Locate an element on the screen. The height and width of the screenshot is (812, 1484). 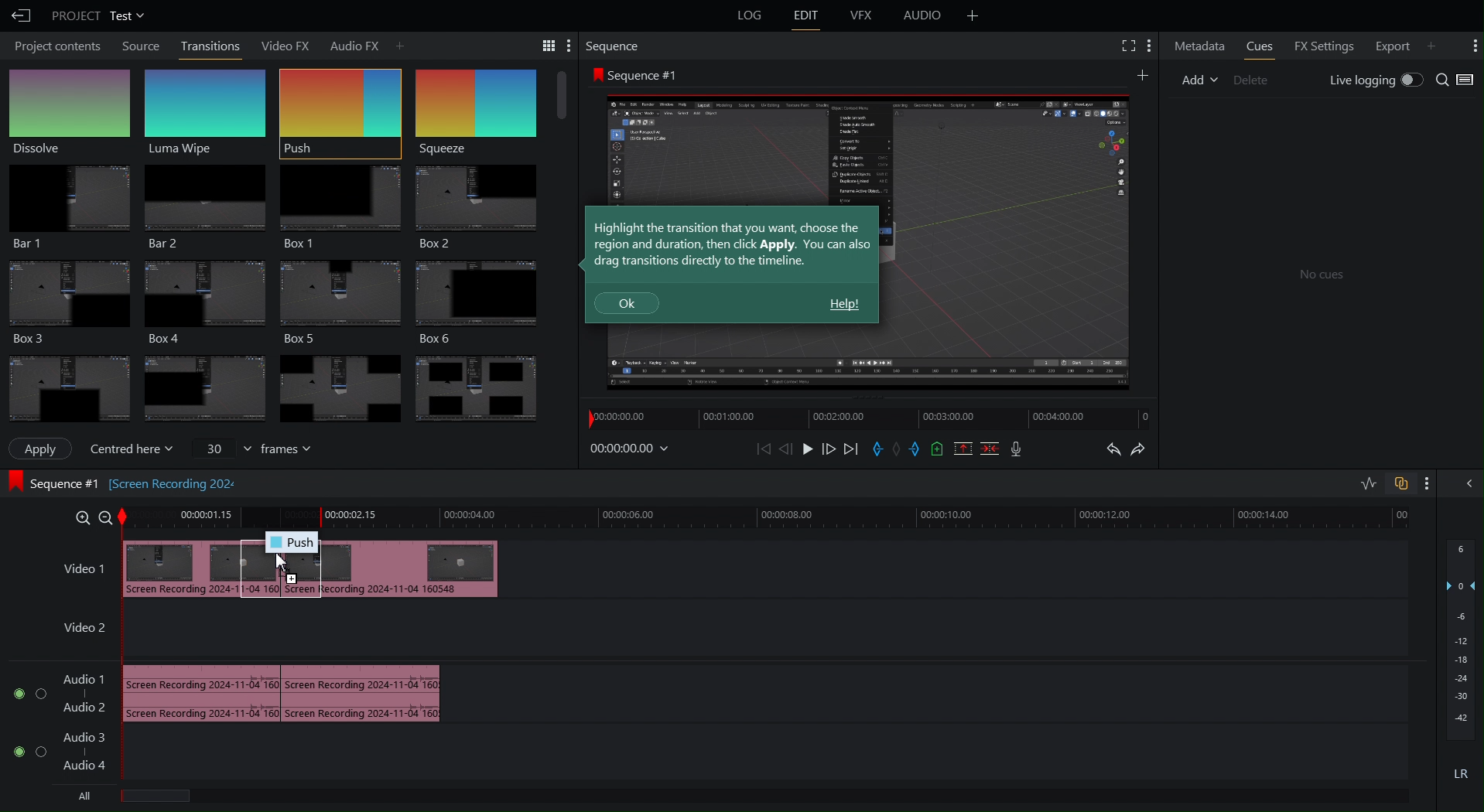
Move Forward is located at coordinates (829, 450).